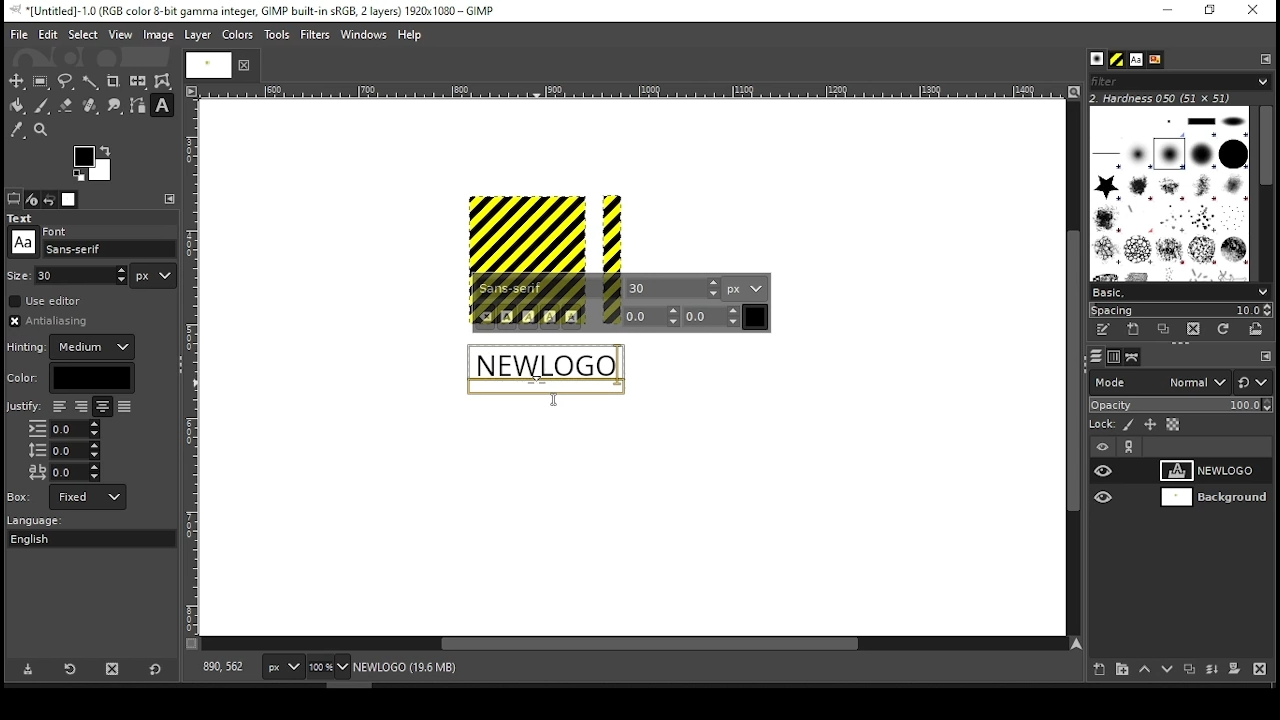 This screenshot has width=1280, height=720. I want to click on configure this tab, so click(172, 199).